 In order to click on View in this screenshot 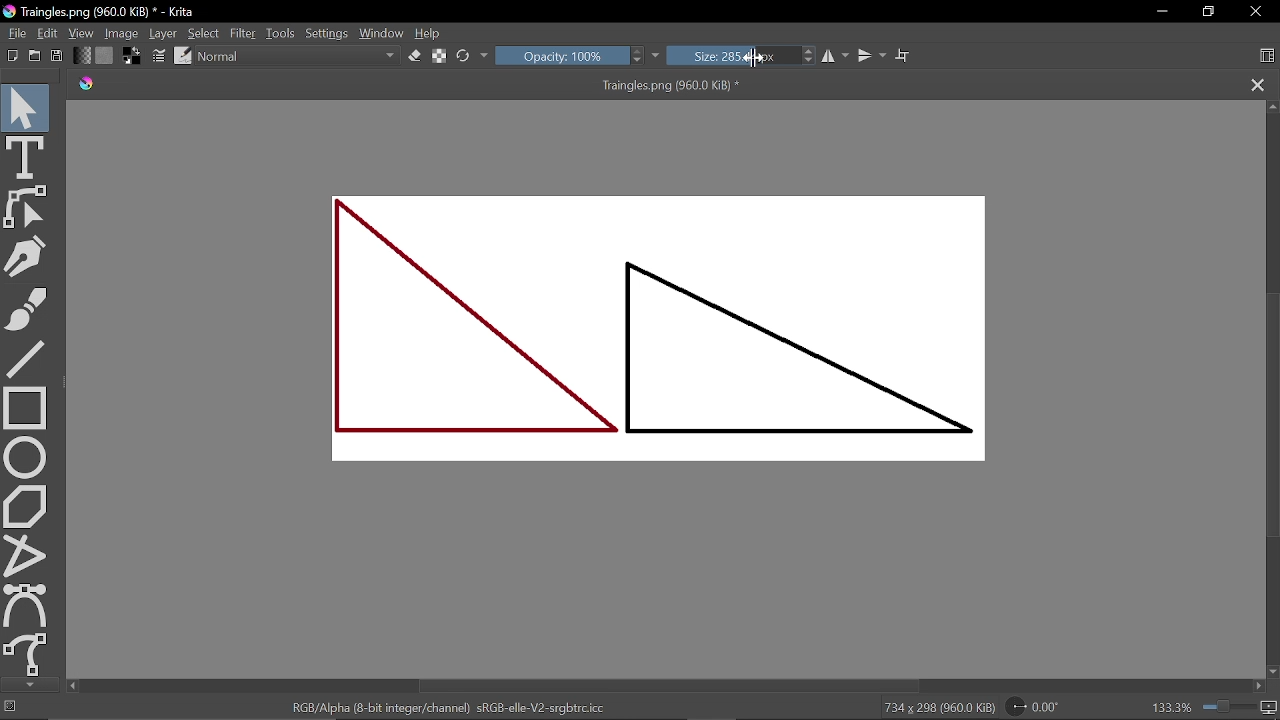, I will do `click(82, 33)`.